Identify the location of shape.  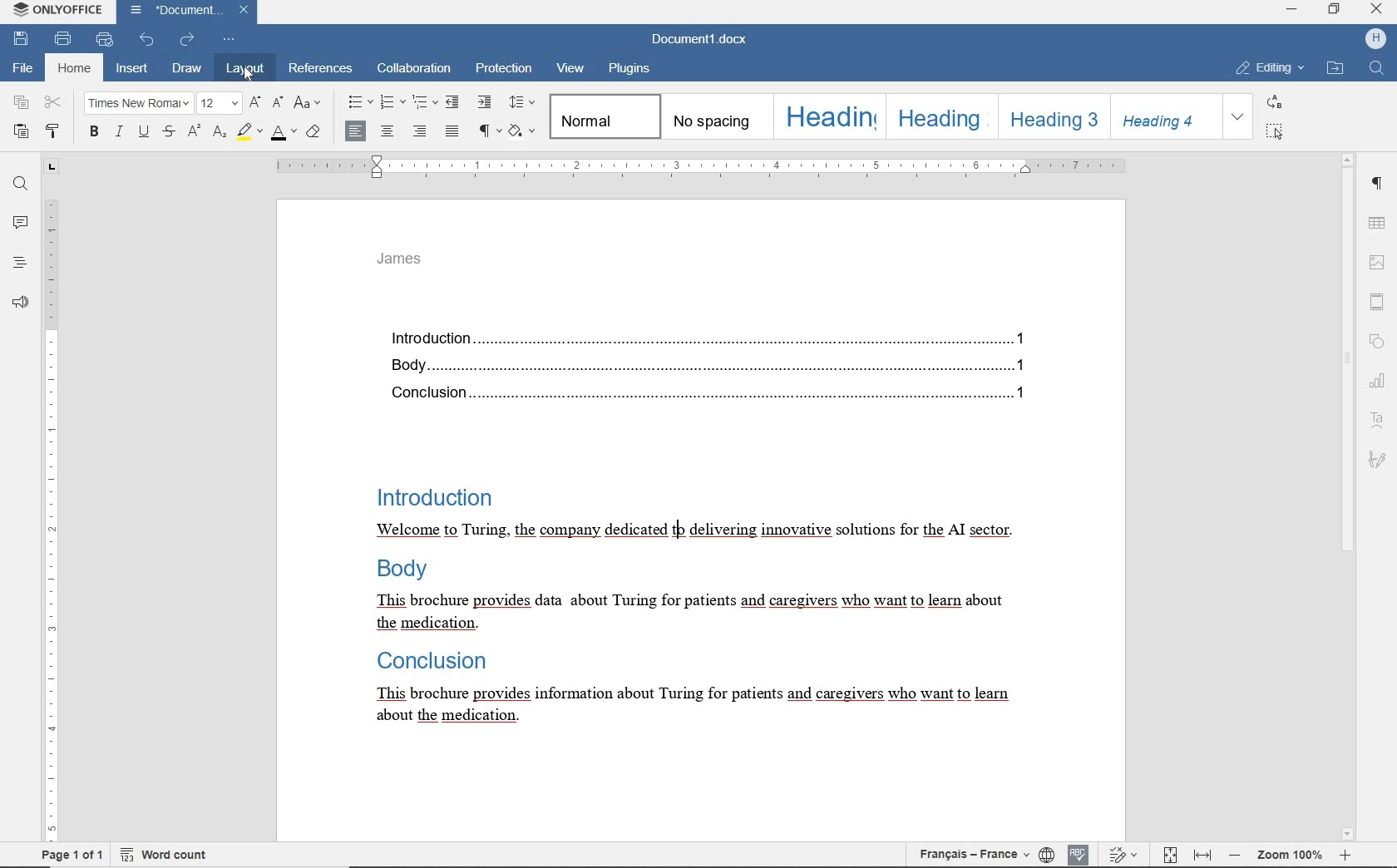
(1377, 341).